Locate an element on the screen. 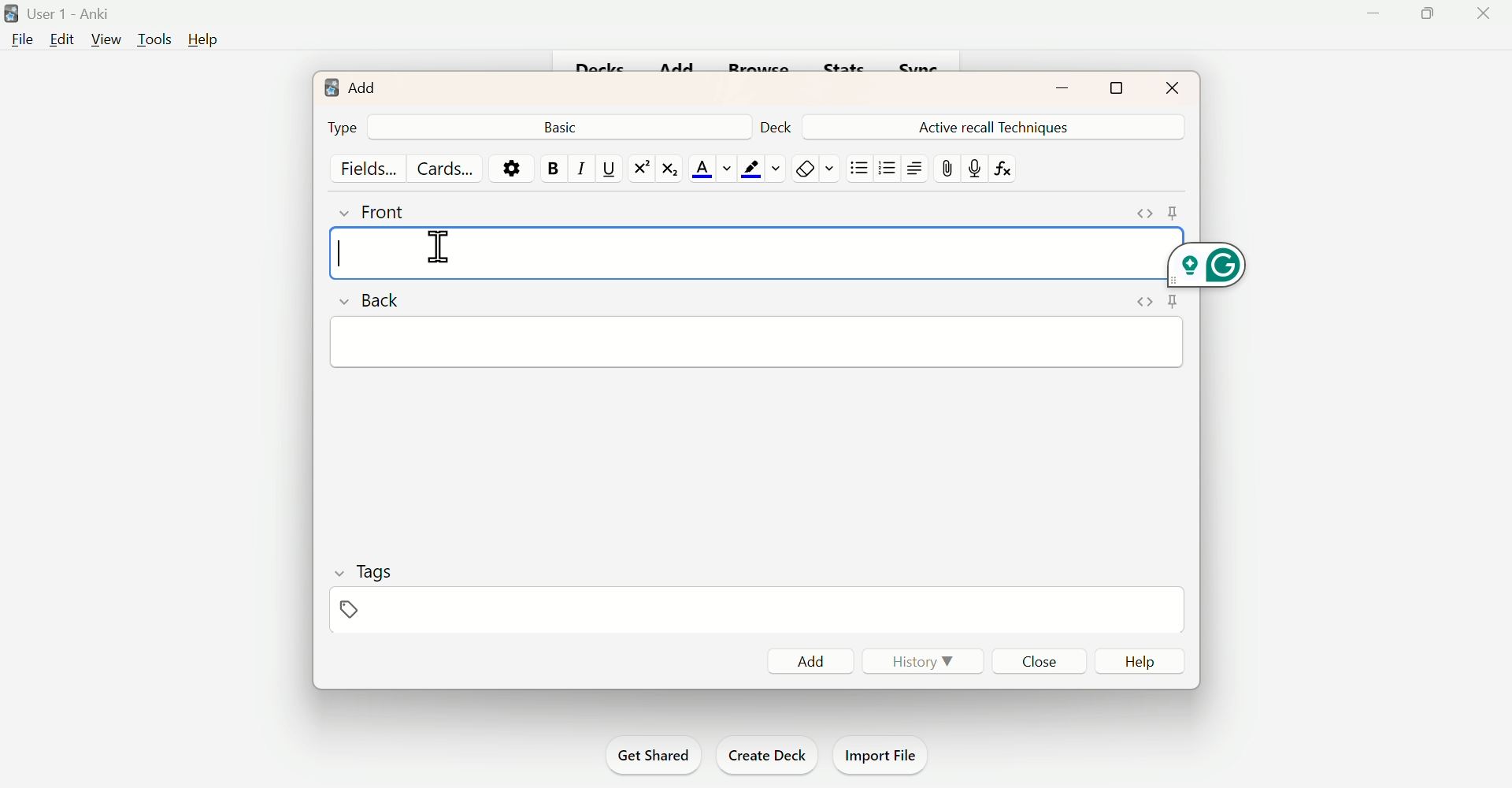  Maximise is located at coordinates (1126, 87).